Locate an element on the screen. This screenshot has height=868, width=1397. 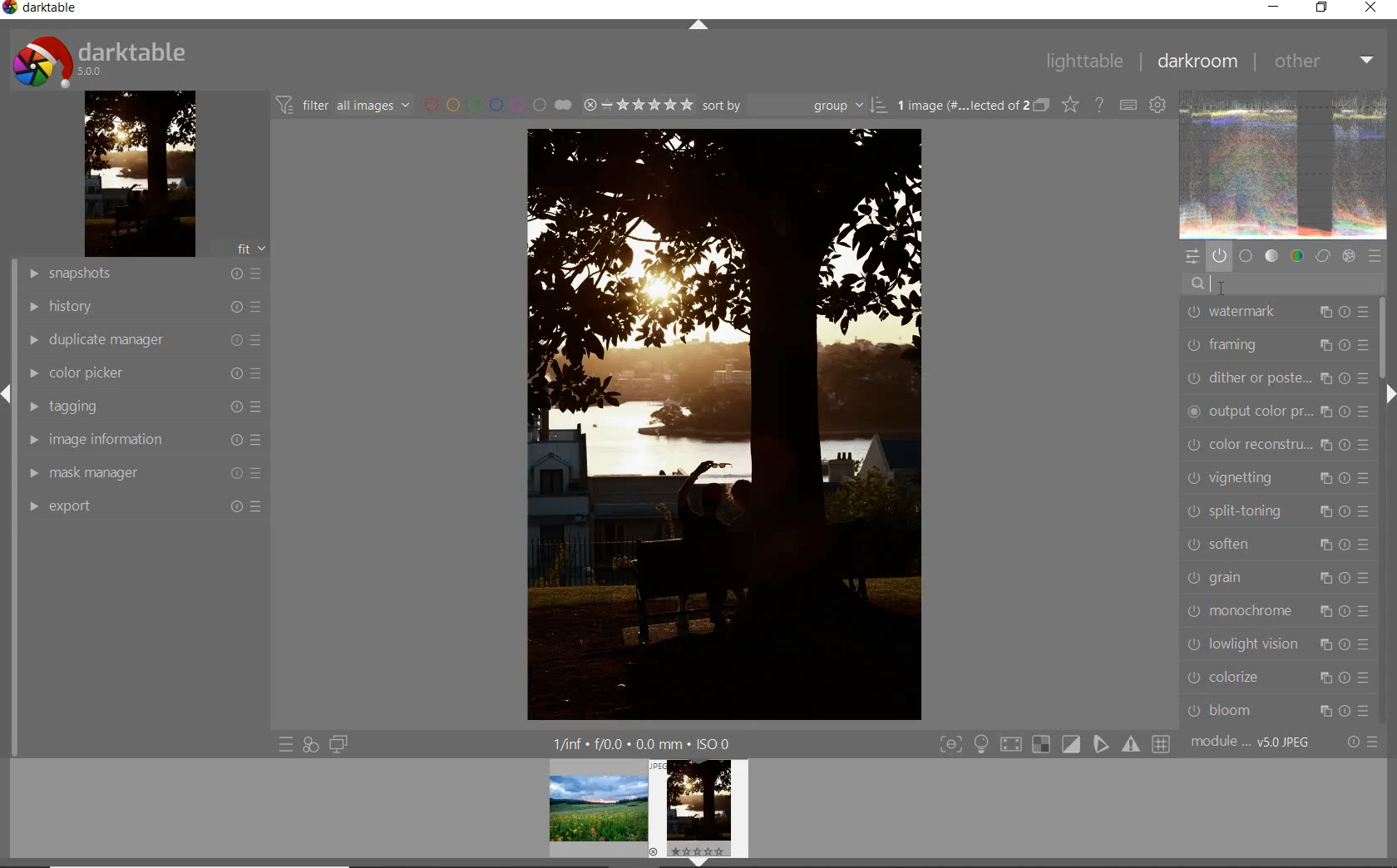
quick access panel is located at coordinates (1193, 255).